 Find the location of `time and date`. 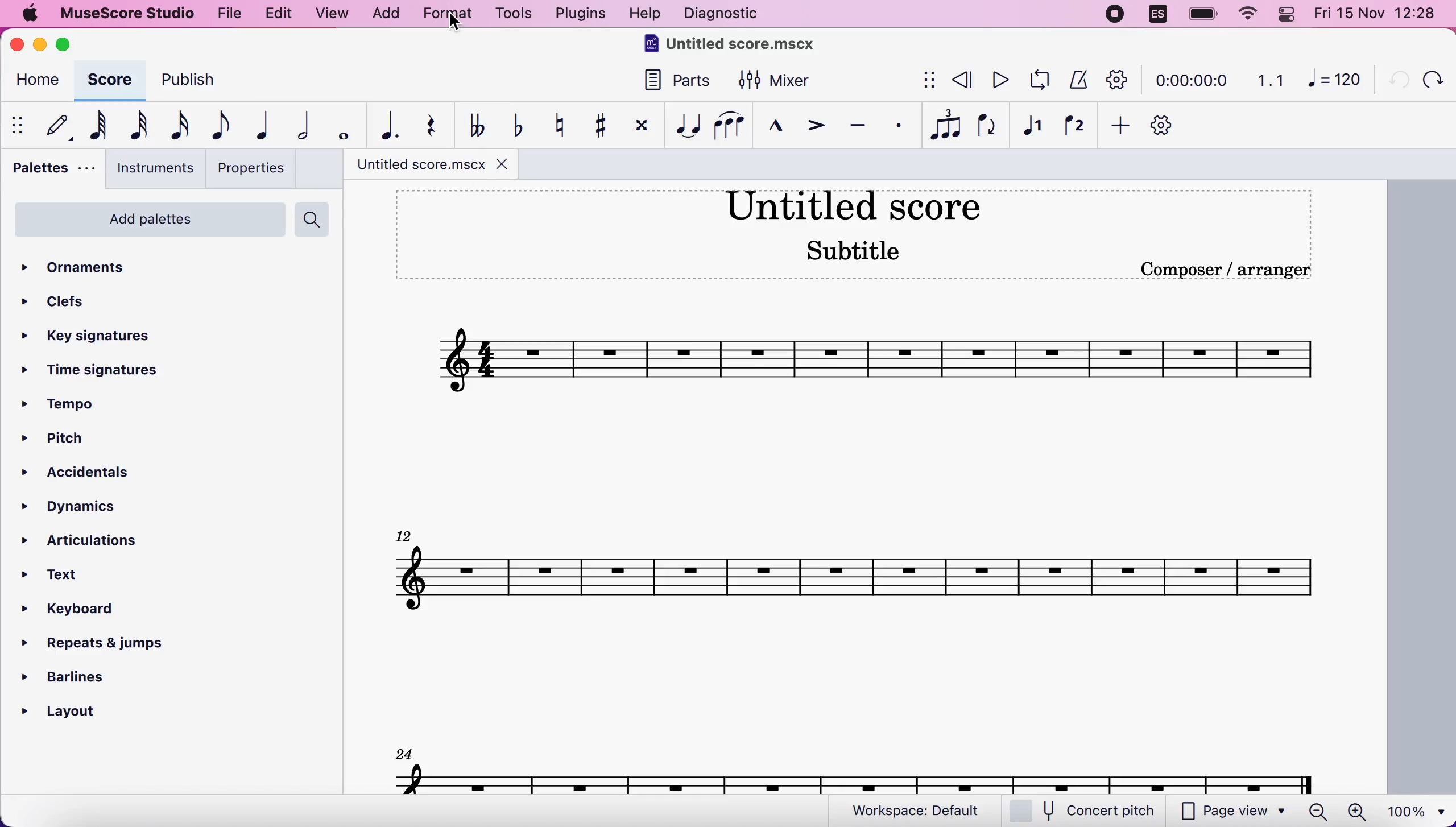

time and date is located at coordinates (1379, 15).